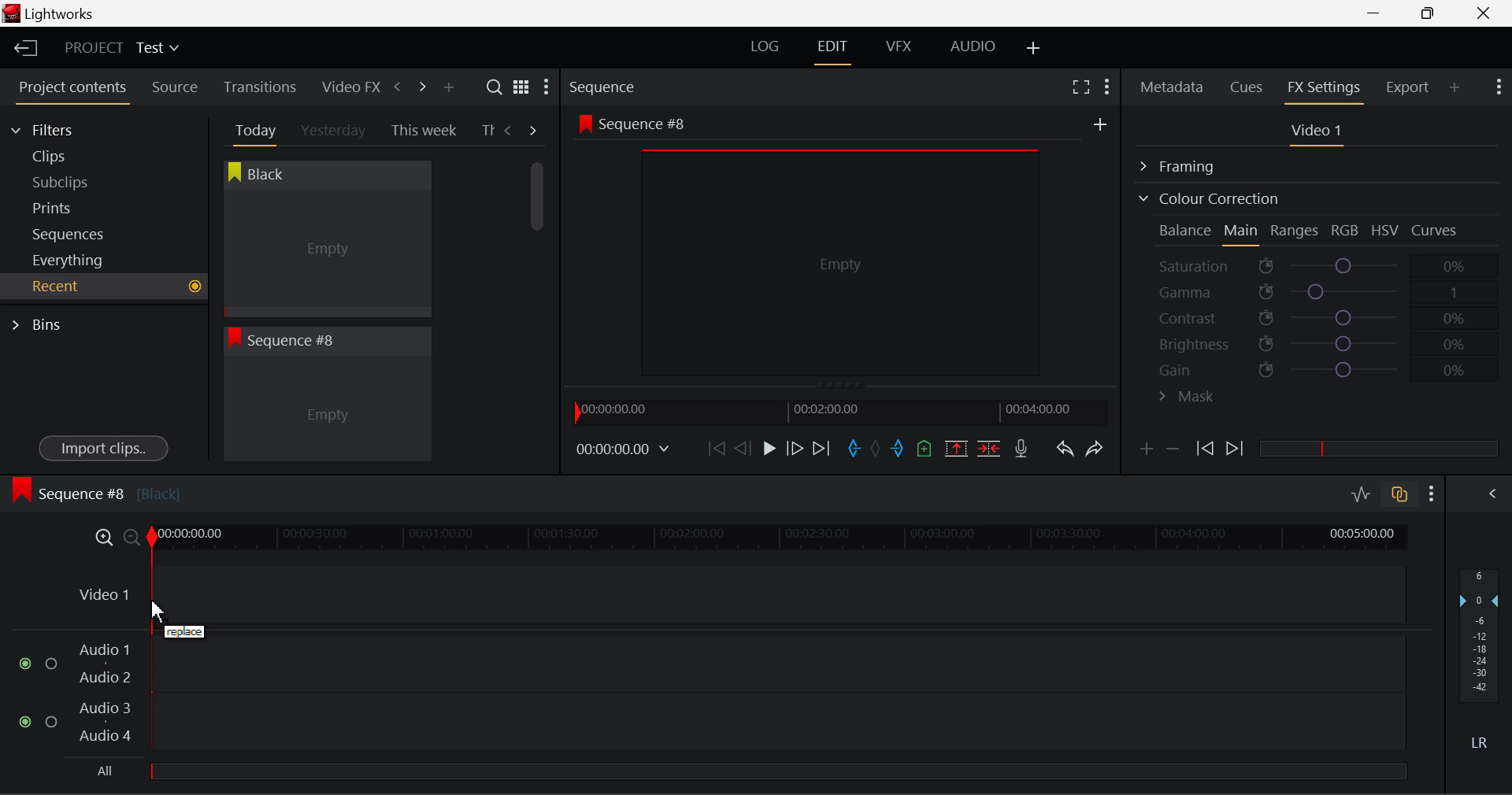 This screenshot has width=1512, height=795. Describe the element at coordinates (1173, 452) in the screenshot. I see `Delete keyframe` at that location.